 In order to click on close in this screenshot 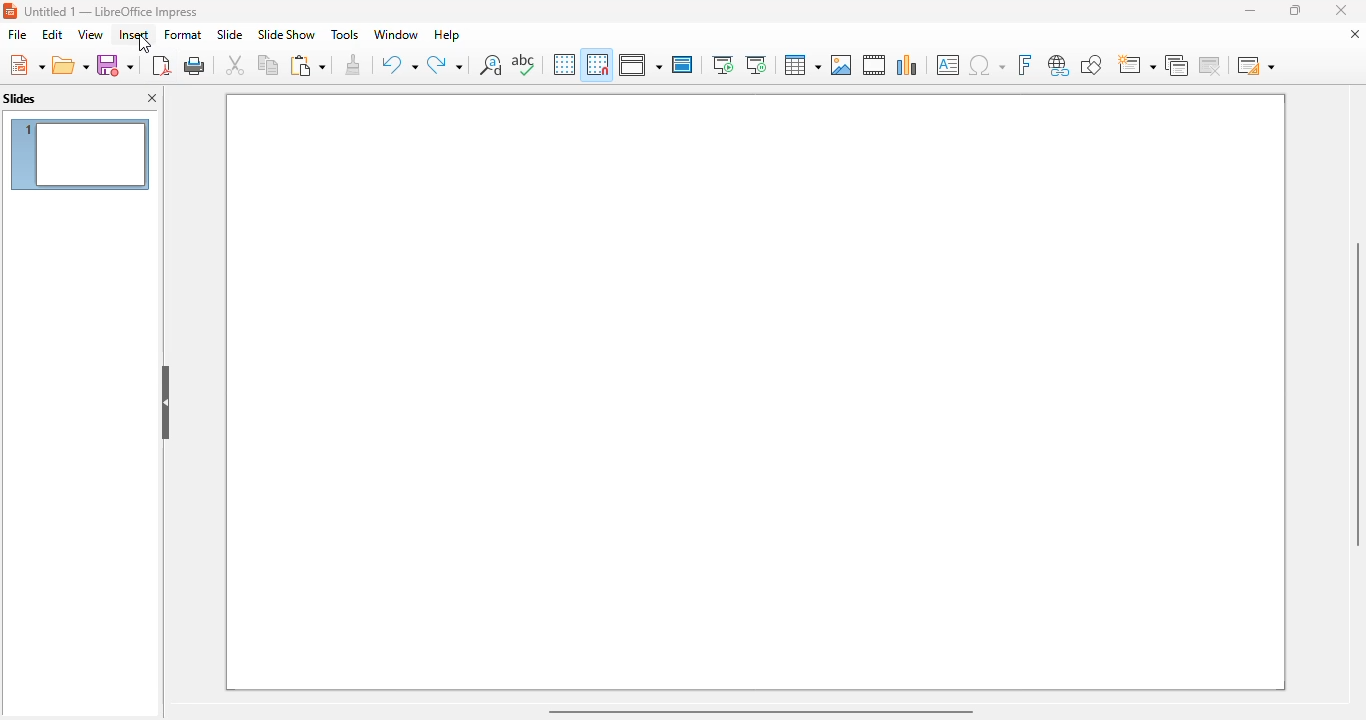, I will do `click(1341, 10)`.